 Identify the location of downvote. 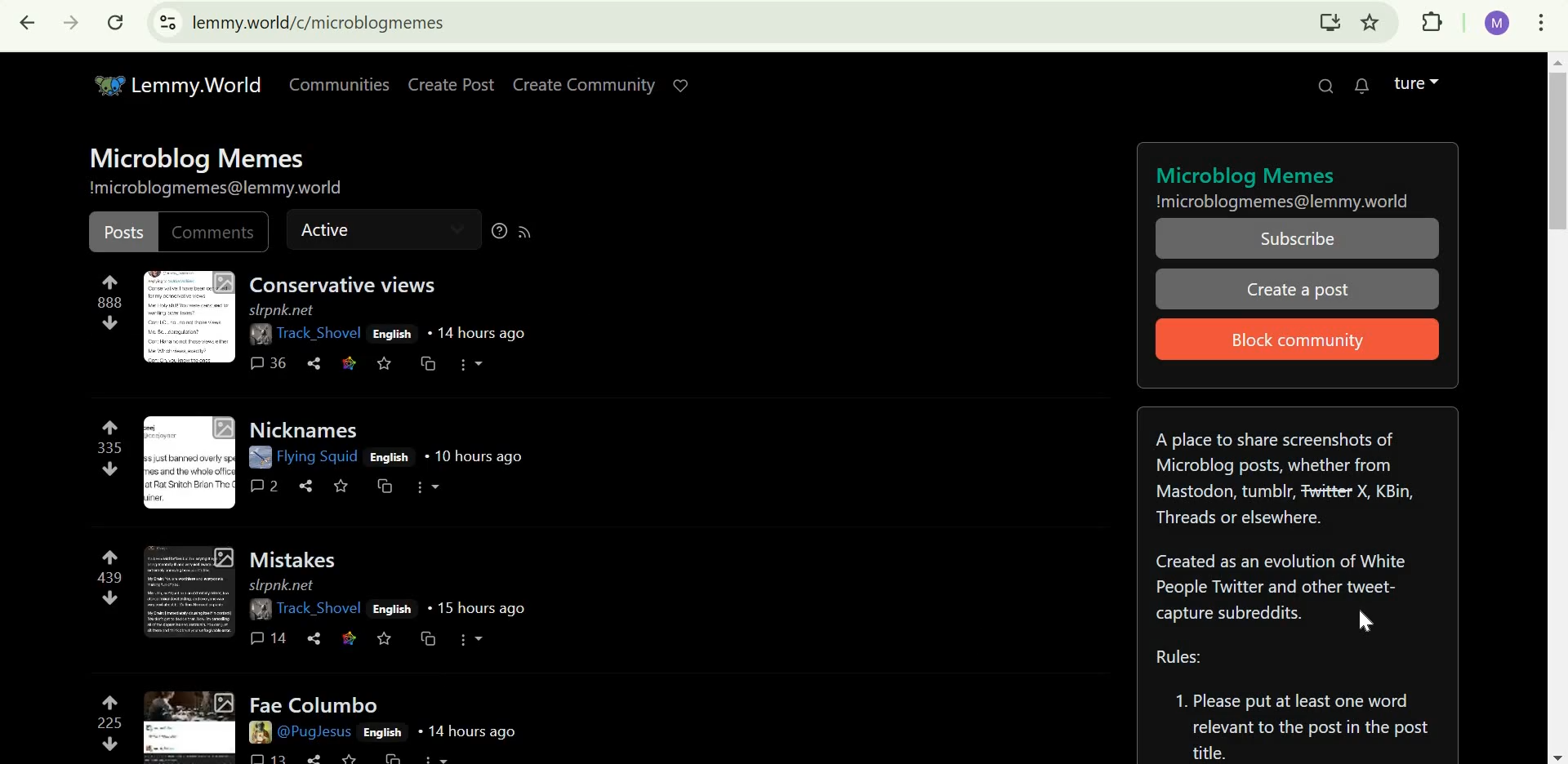
(111, 742).